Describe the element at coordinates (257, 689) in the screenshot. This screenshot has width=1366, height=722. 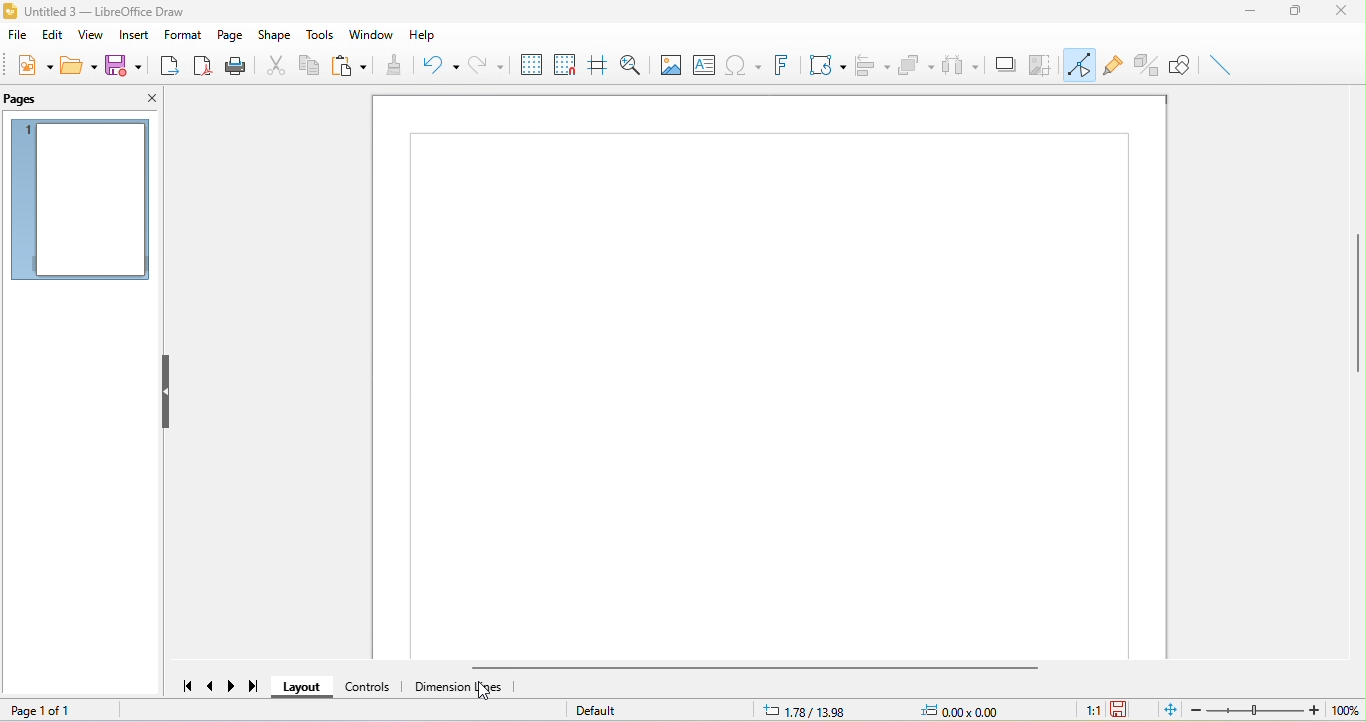
I see `last page` at that location.